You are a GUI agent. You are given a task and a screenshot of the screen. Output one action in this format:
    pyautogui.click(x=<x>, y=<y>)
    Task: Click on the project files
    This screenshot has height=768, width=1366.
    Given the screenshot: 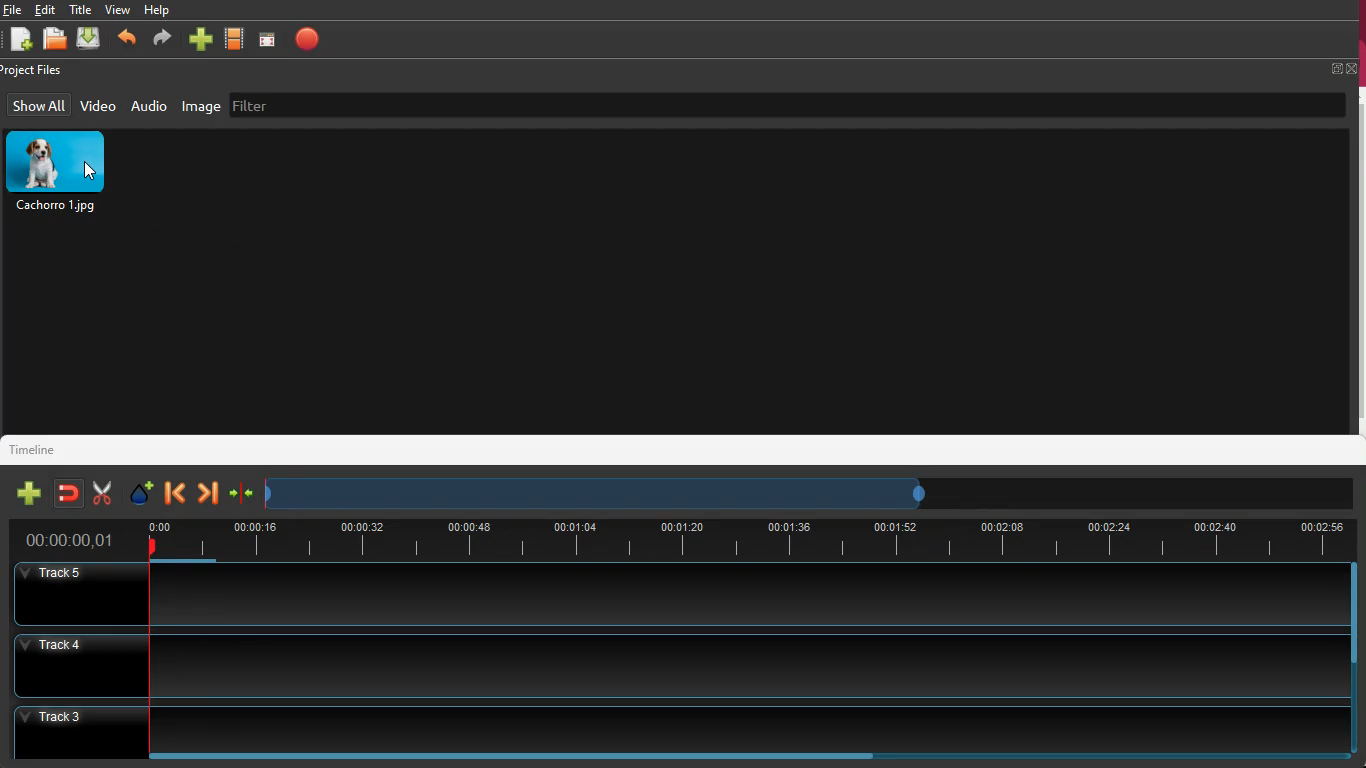 What is the action you would take?
    pyautogui.click(x=36, y=71)
    